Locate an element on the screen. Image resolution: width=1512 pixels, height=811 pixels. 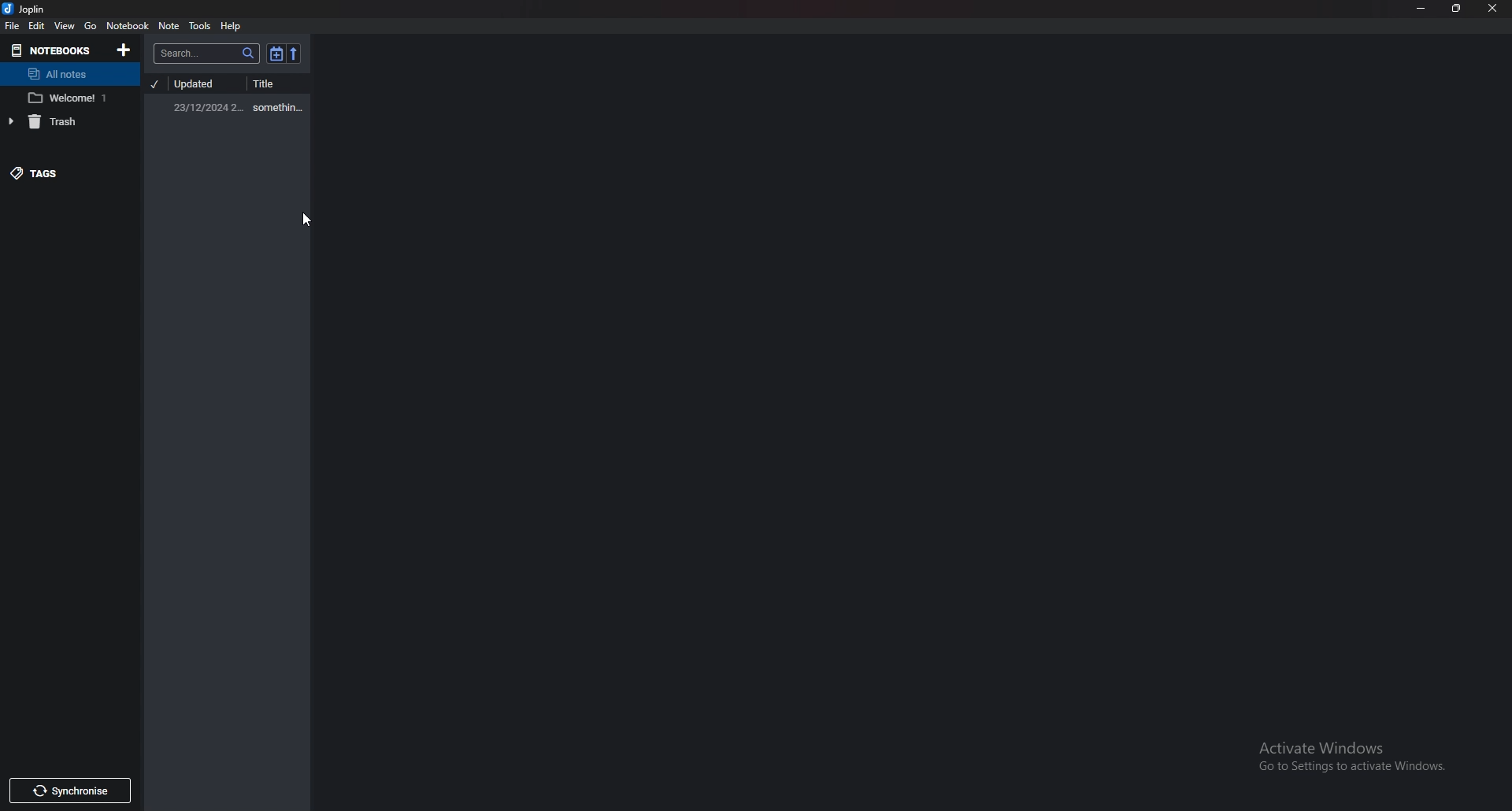
Notebook is located at coordinates (49, 50).